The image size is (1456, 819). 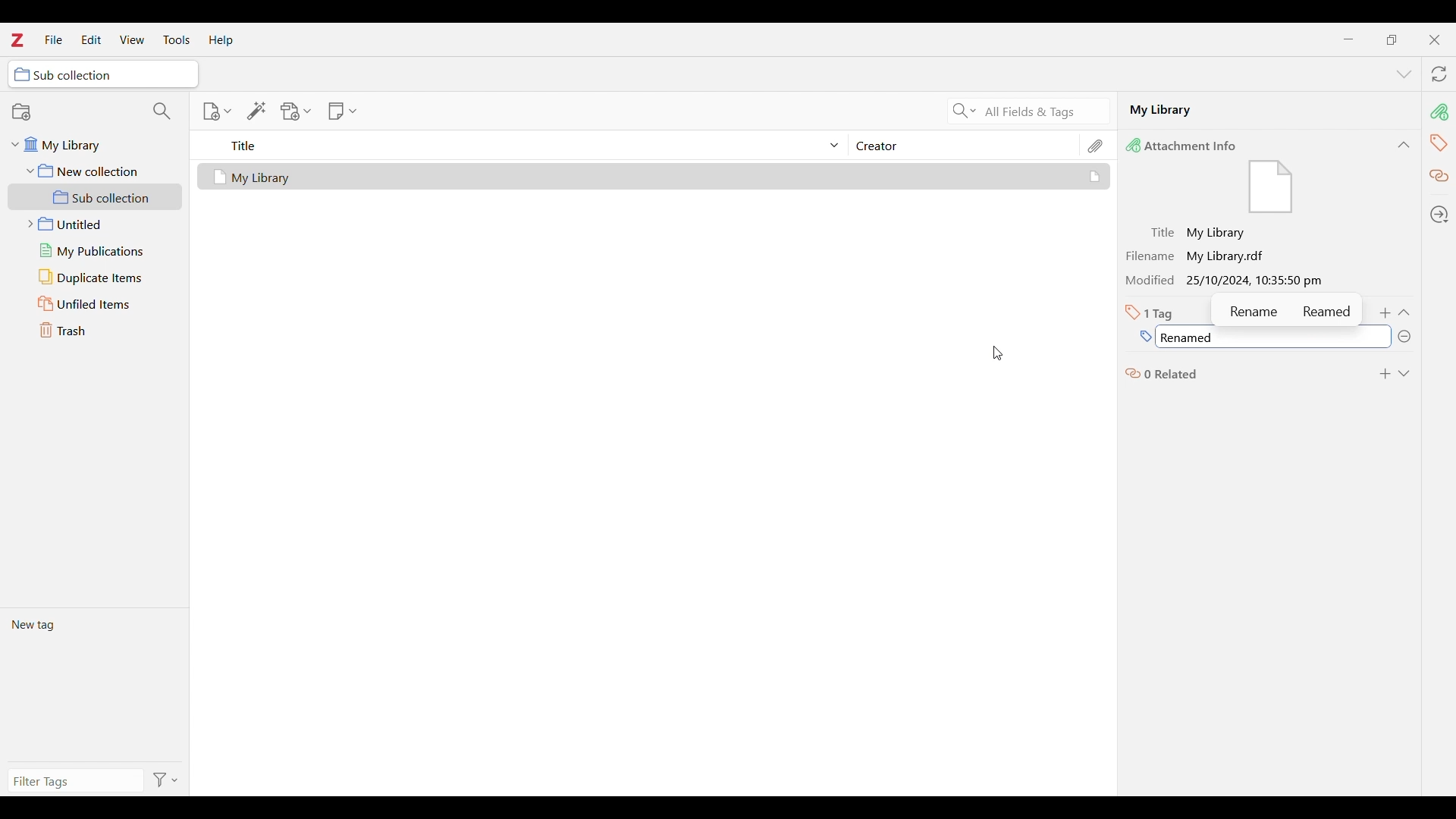 I want to click on File menu, so click(x=53, y=39).